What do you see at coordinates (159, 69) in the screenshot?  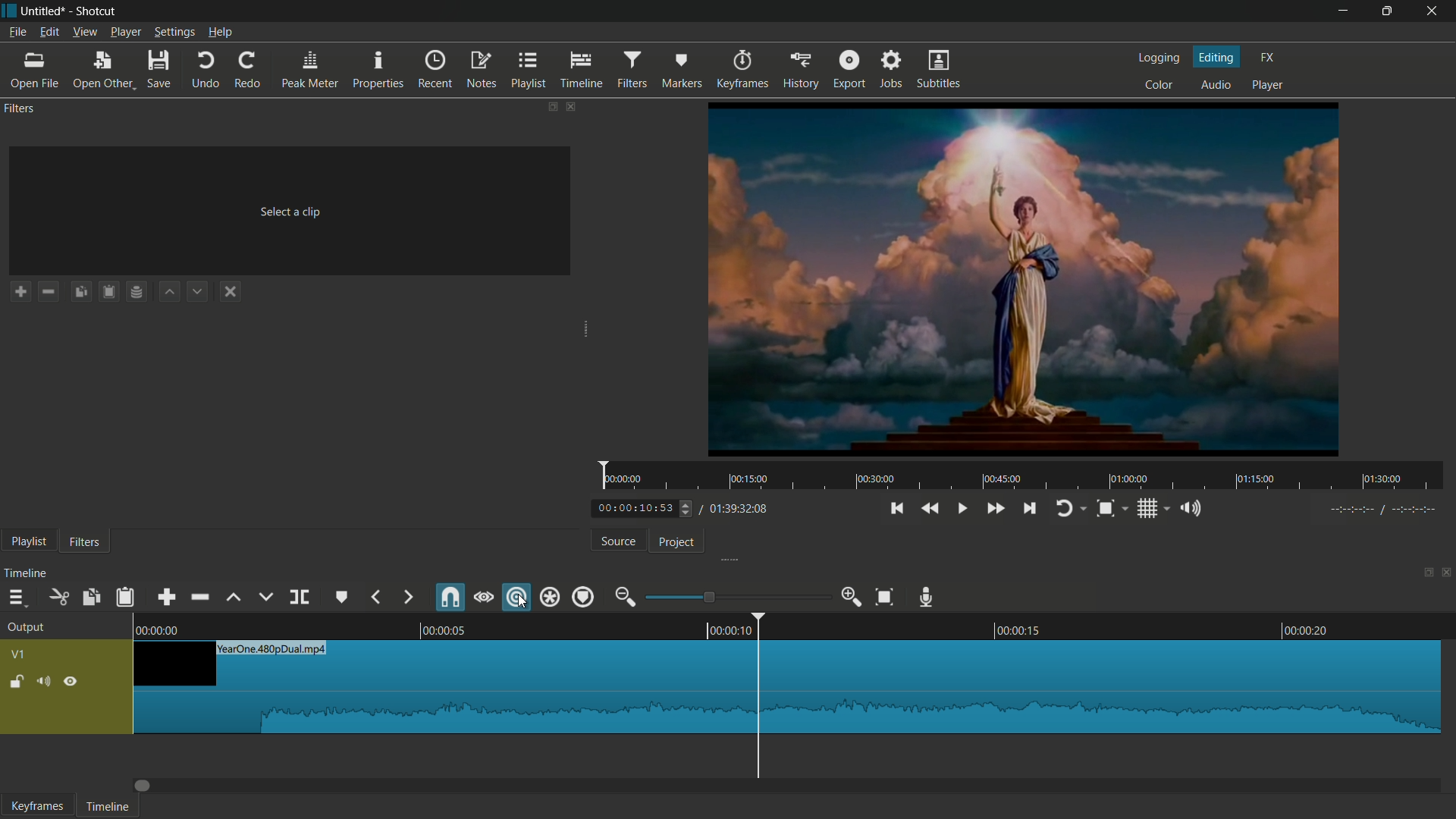 I see `save` at bounding box center [159, 69].